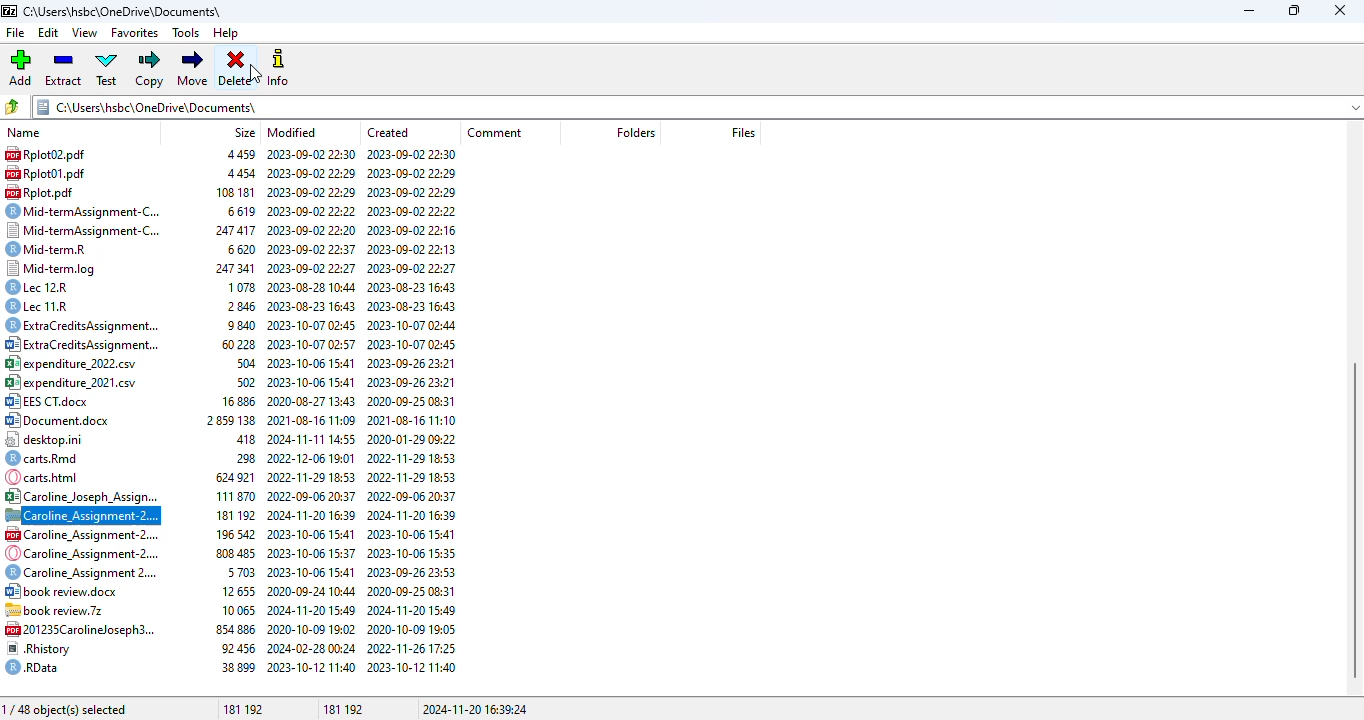 The height and width of the screenshot is (720, 1364). Describe the element at coordinates (414, 382) in the screenshot. I see `2003-00-76 22.91` at that location.